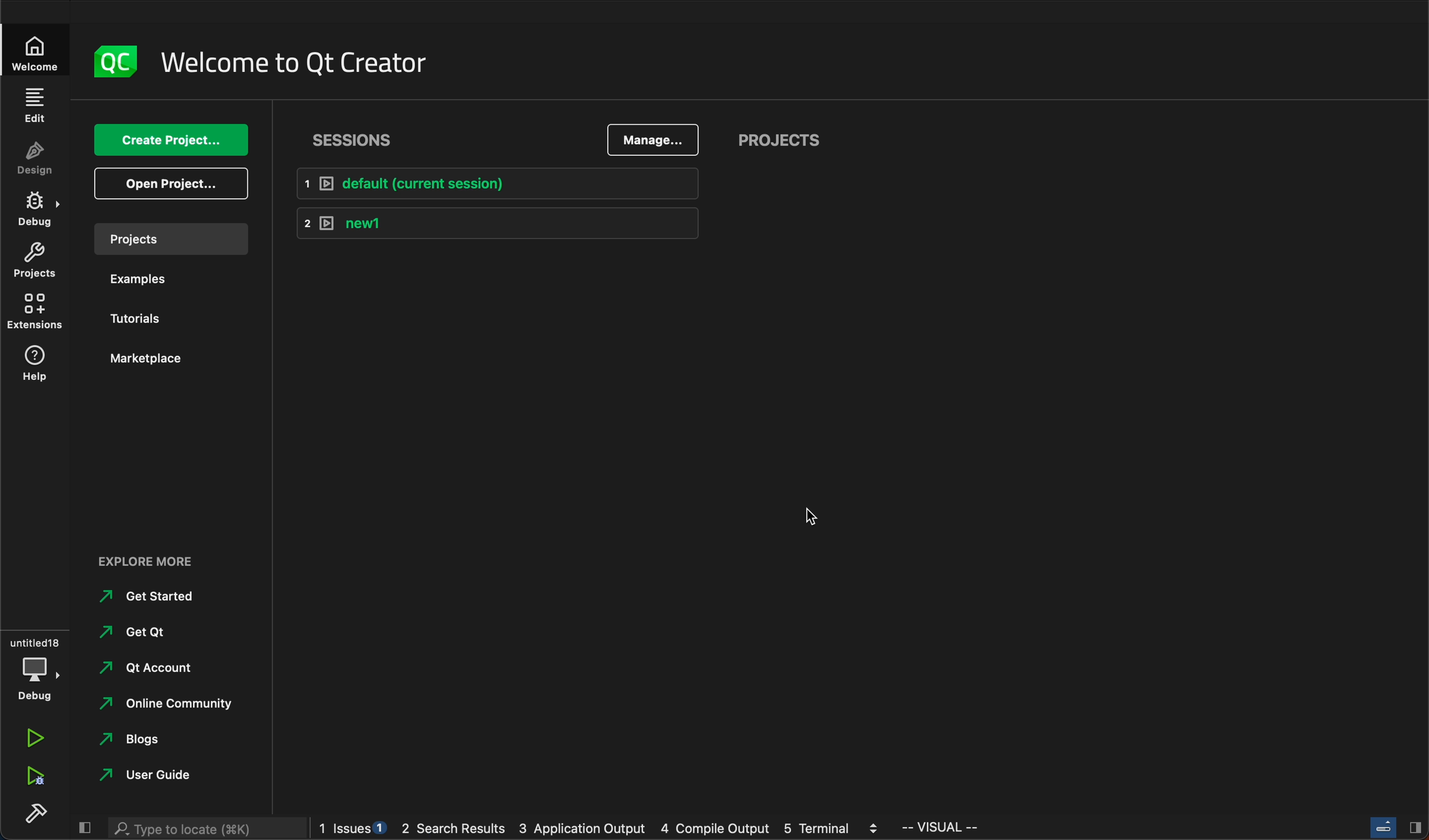 This screenshot has width=1429, height=840. I want to click on search bar, so click(198, 828).